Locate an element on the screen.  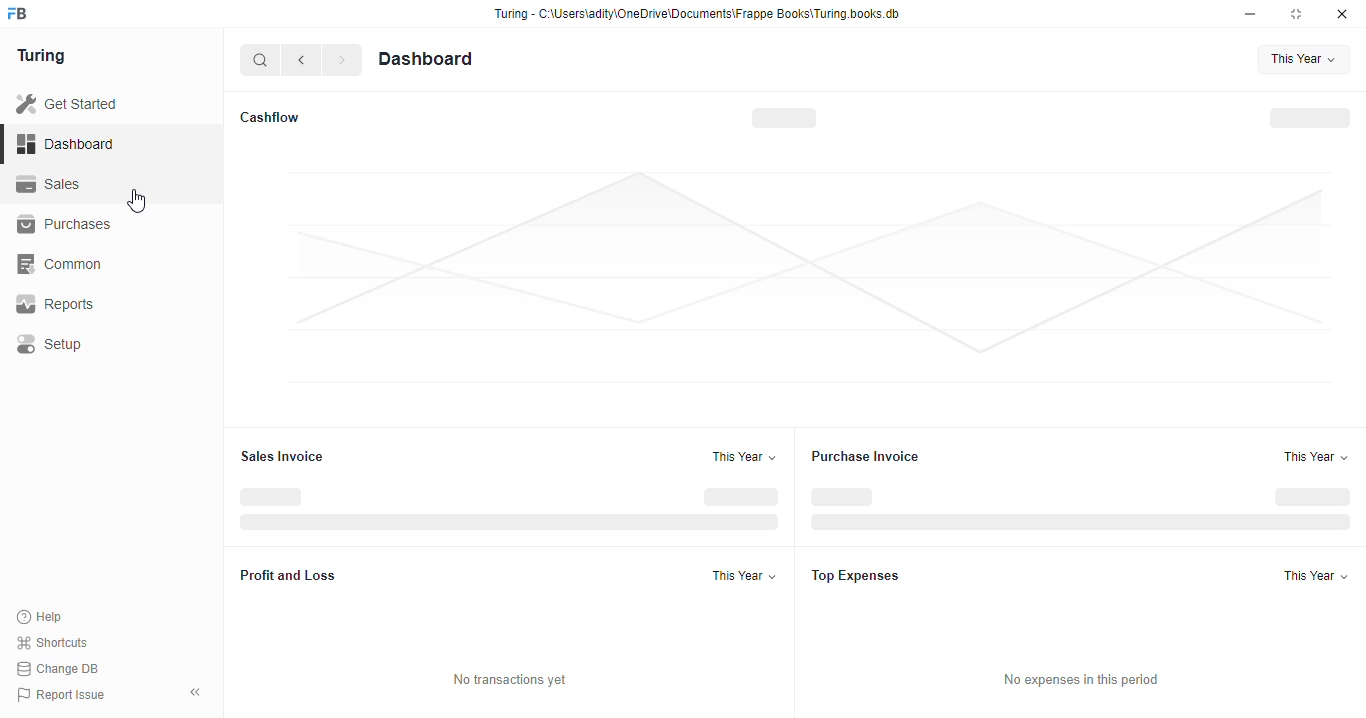
Sales is located at coordinates (98, 184).